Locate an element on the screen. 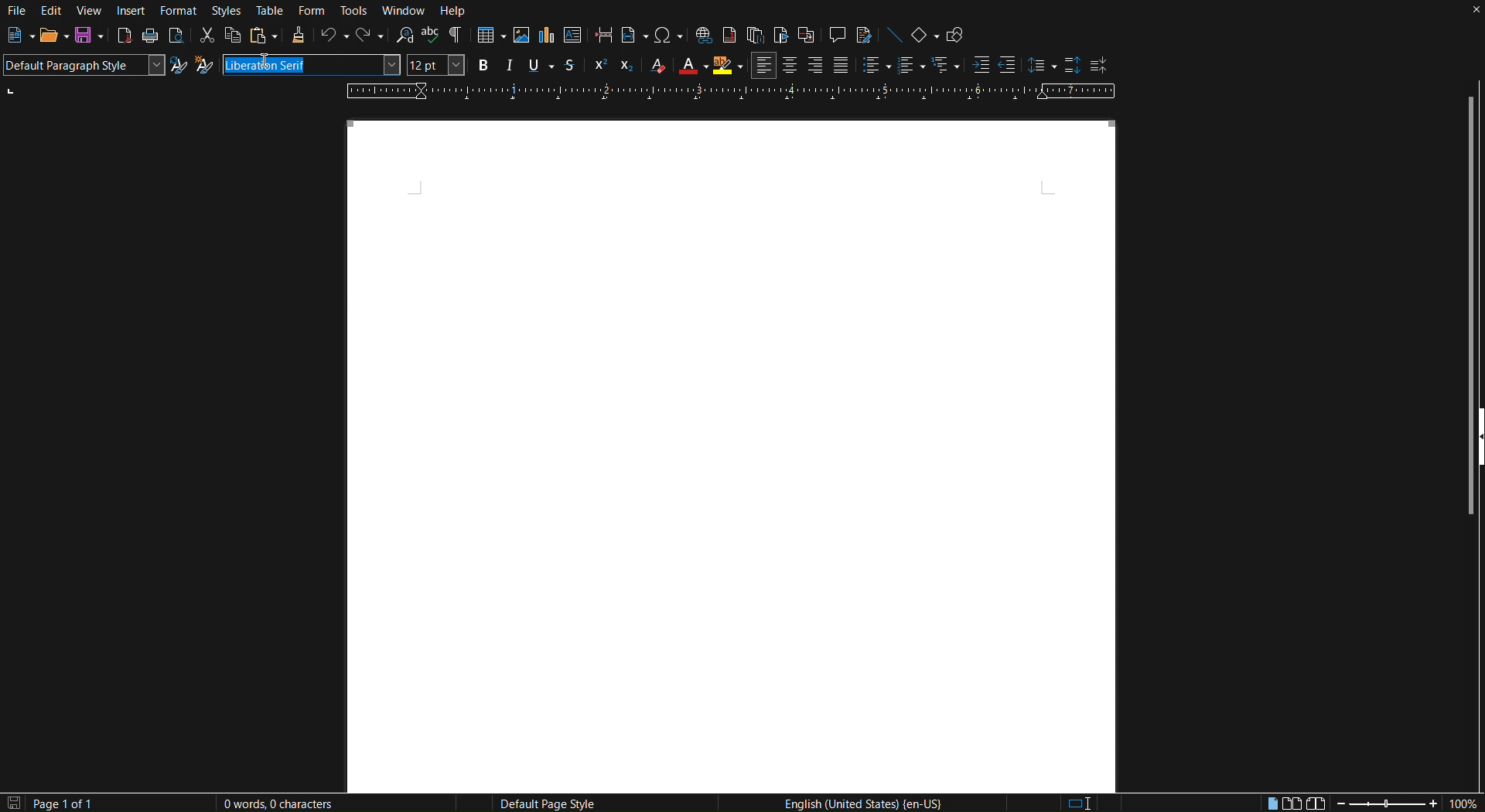 This screenshot has width=1485, height=812. Zoom out is located at coordinates (1342, 803).